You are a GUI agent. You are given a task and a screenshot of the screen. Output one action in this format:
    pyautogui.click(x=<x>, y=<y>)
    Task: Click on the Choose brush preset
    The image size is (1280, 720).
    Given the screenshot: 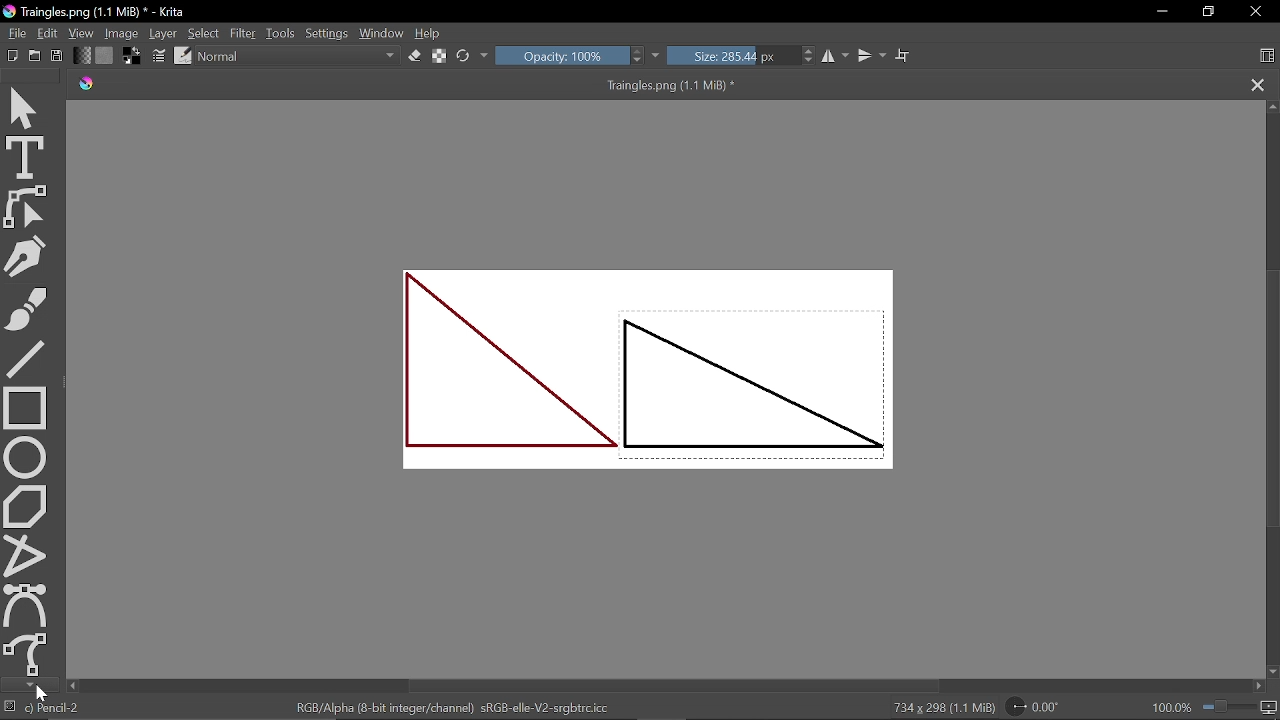 What is the action you would take?
    pyautogui.click(x=183, y=55)
    